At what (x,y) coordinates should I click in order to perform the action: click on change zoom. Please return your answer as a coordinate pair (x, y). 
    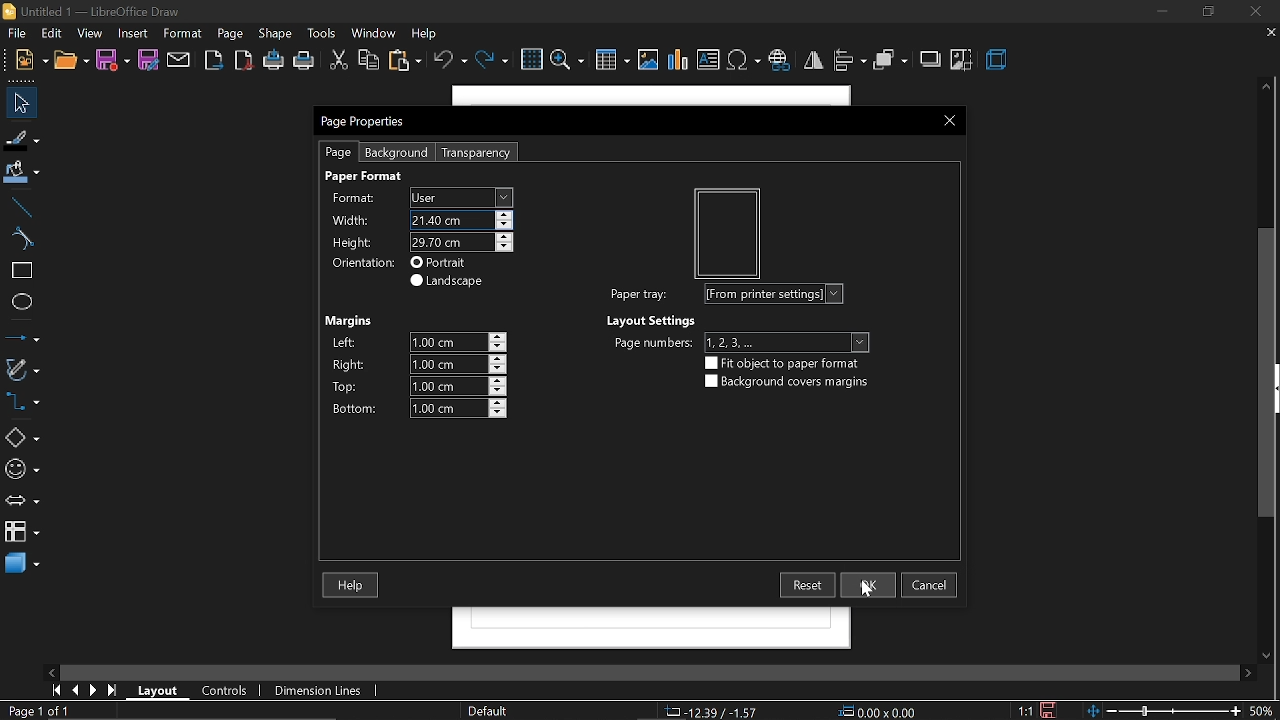
    Looking at the image, I should click on (1165, 709).